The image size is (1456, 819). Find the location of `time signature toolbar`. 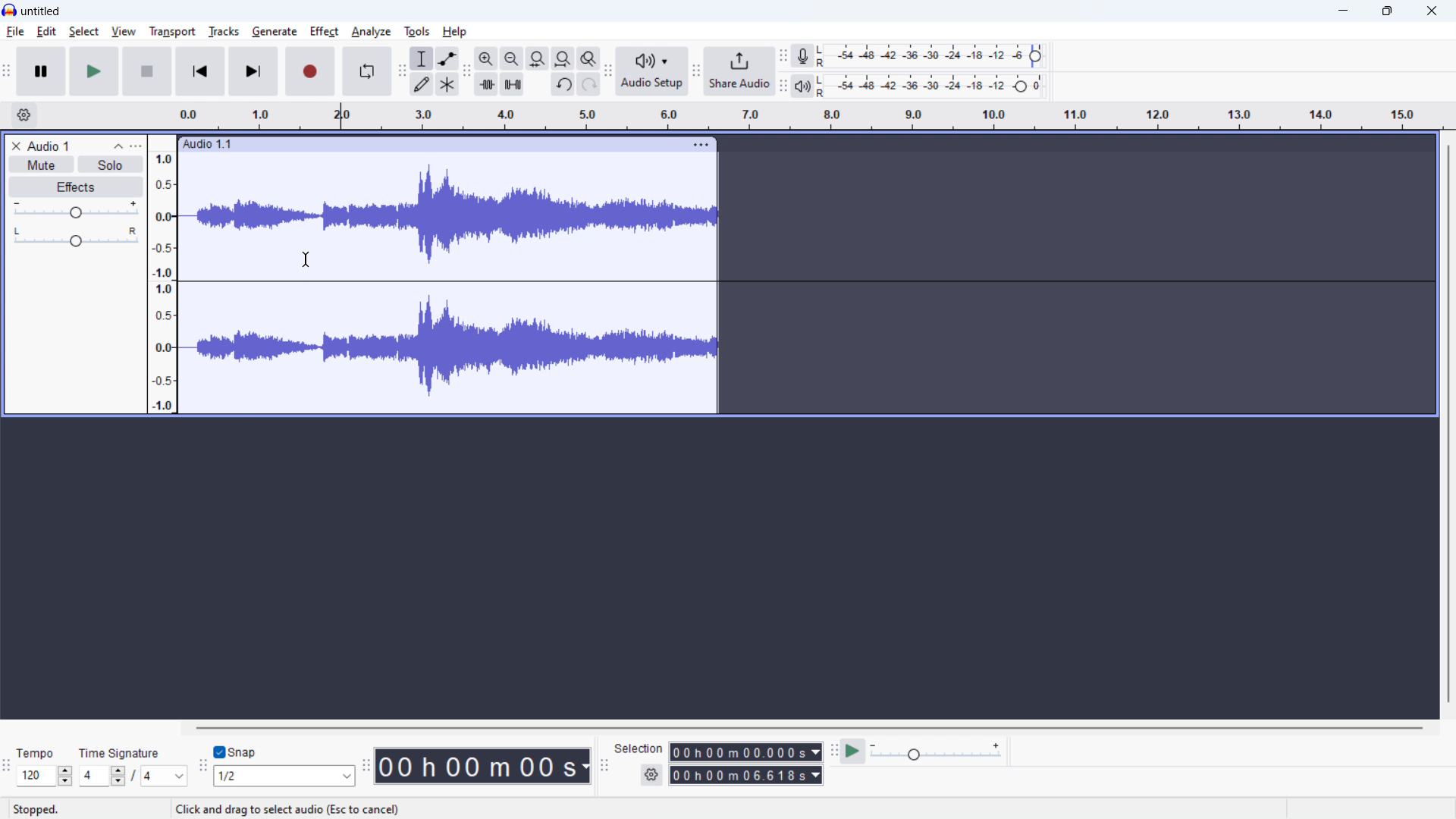

time signature toolbar is located at coordinates (8, 769).